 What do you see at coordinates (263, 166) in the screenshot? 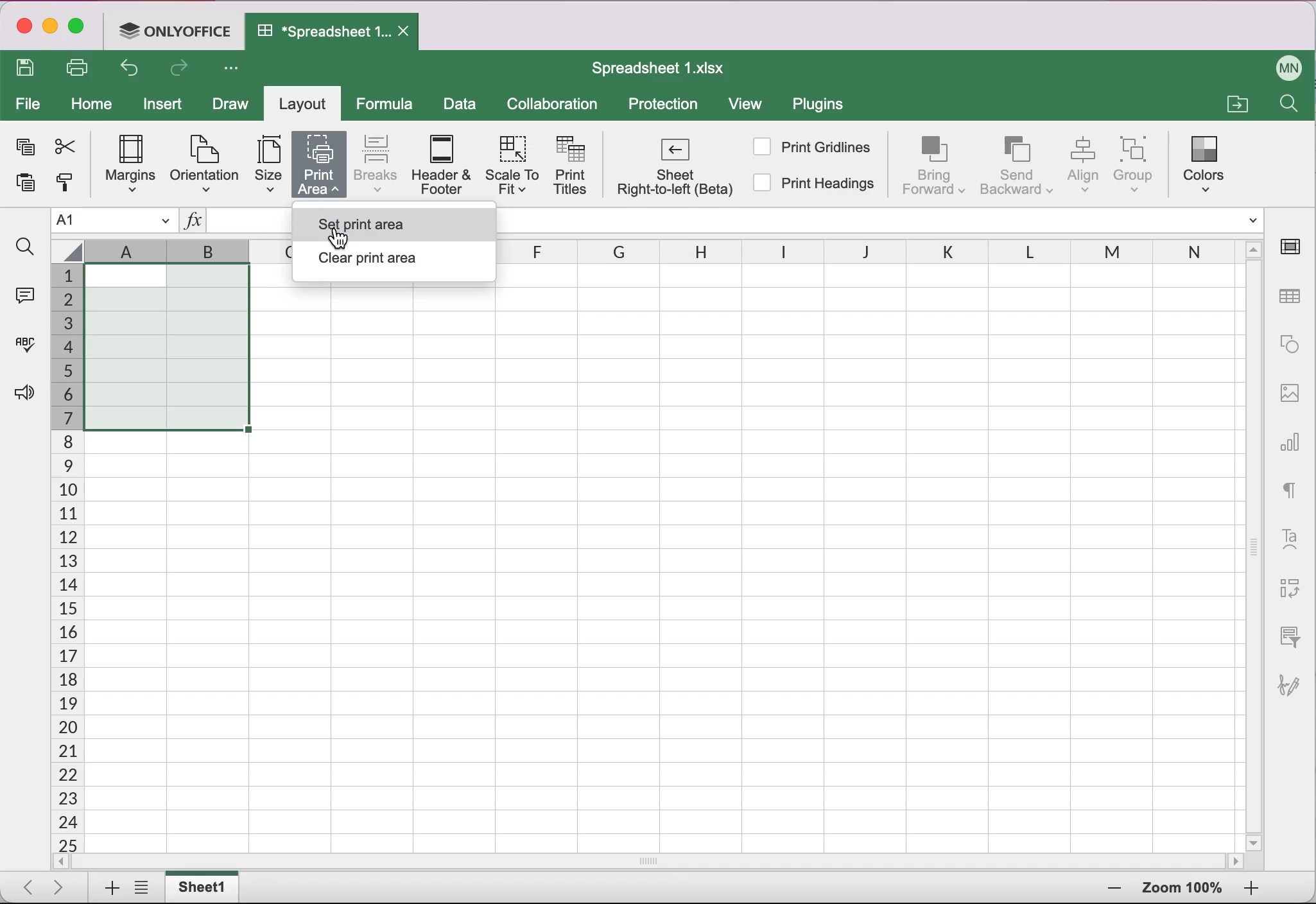
I see `Size` at bounding box center [263, 166].